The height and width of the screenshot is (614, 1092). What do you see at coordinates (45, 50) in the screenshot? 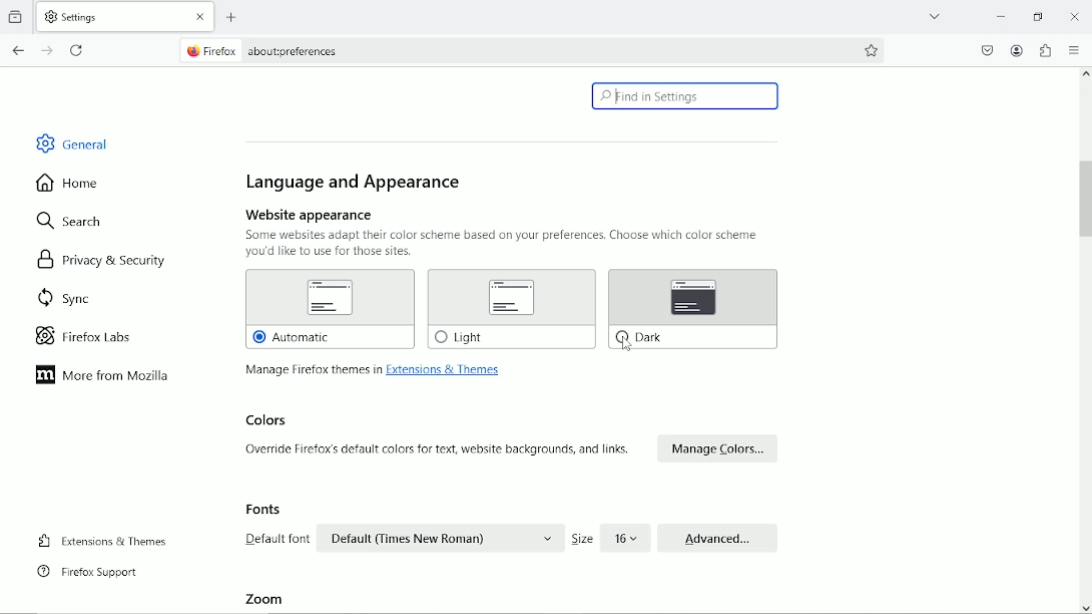
I see `go forward` at bounding box center [45, 50].